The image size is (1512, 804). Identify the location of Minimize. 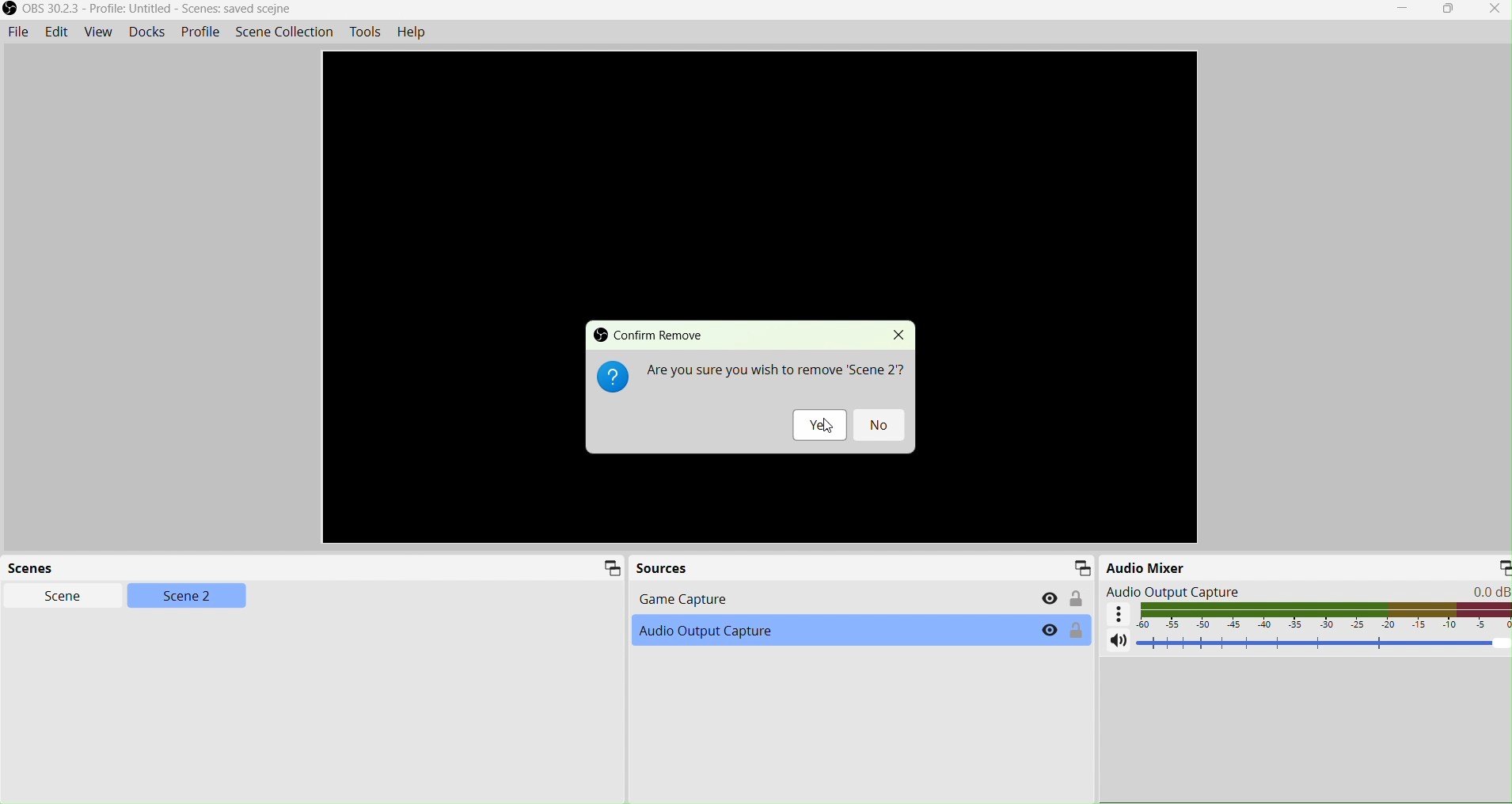
(1403, 9).